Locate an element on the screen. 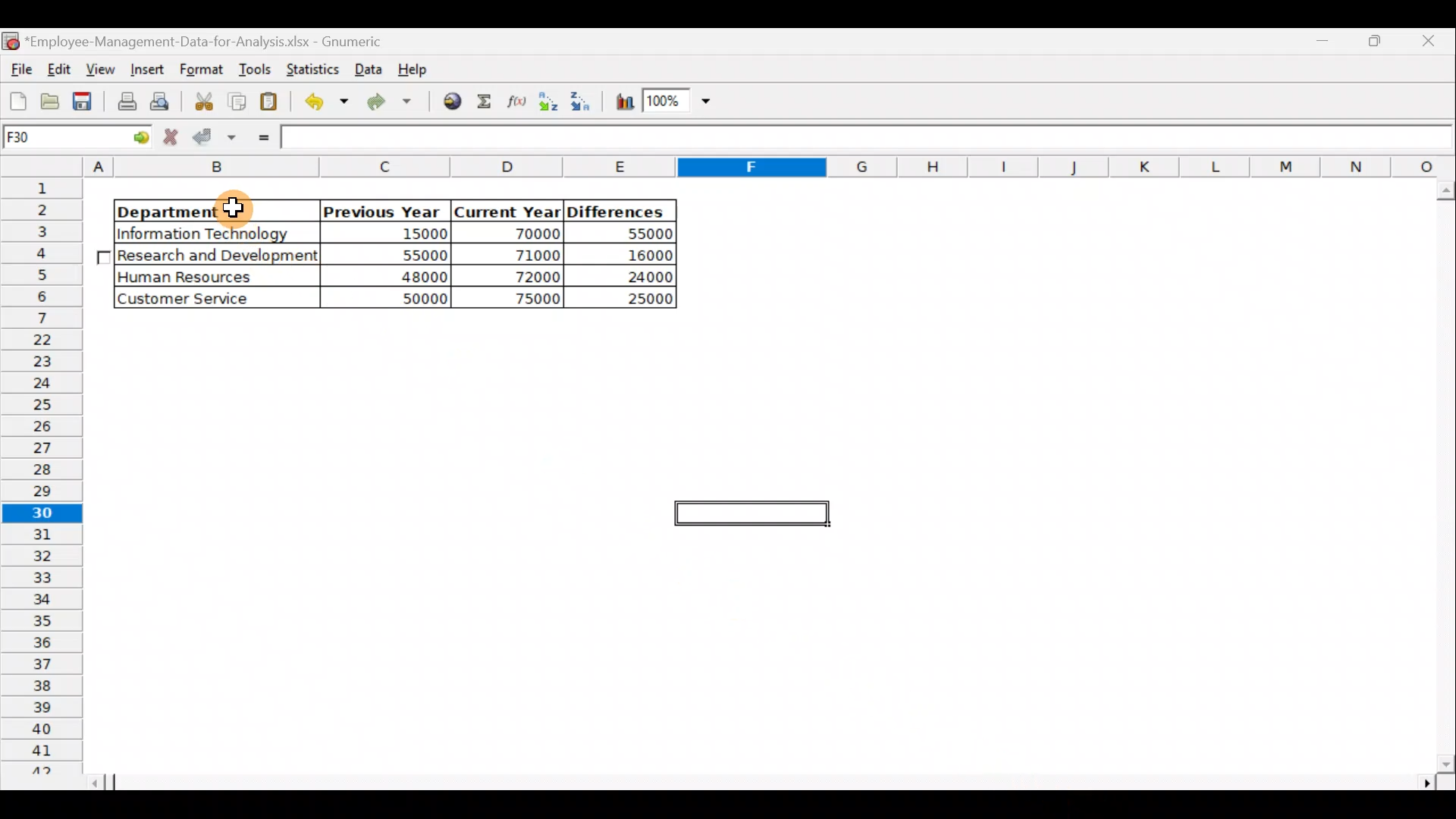 This screenshot has height=819, width=1456. Copy the selection is located at coordinates (236, 102).